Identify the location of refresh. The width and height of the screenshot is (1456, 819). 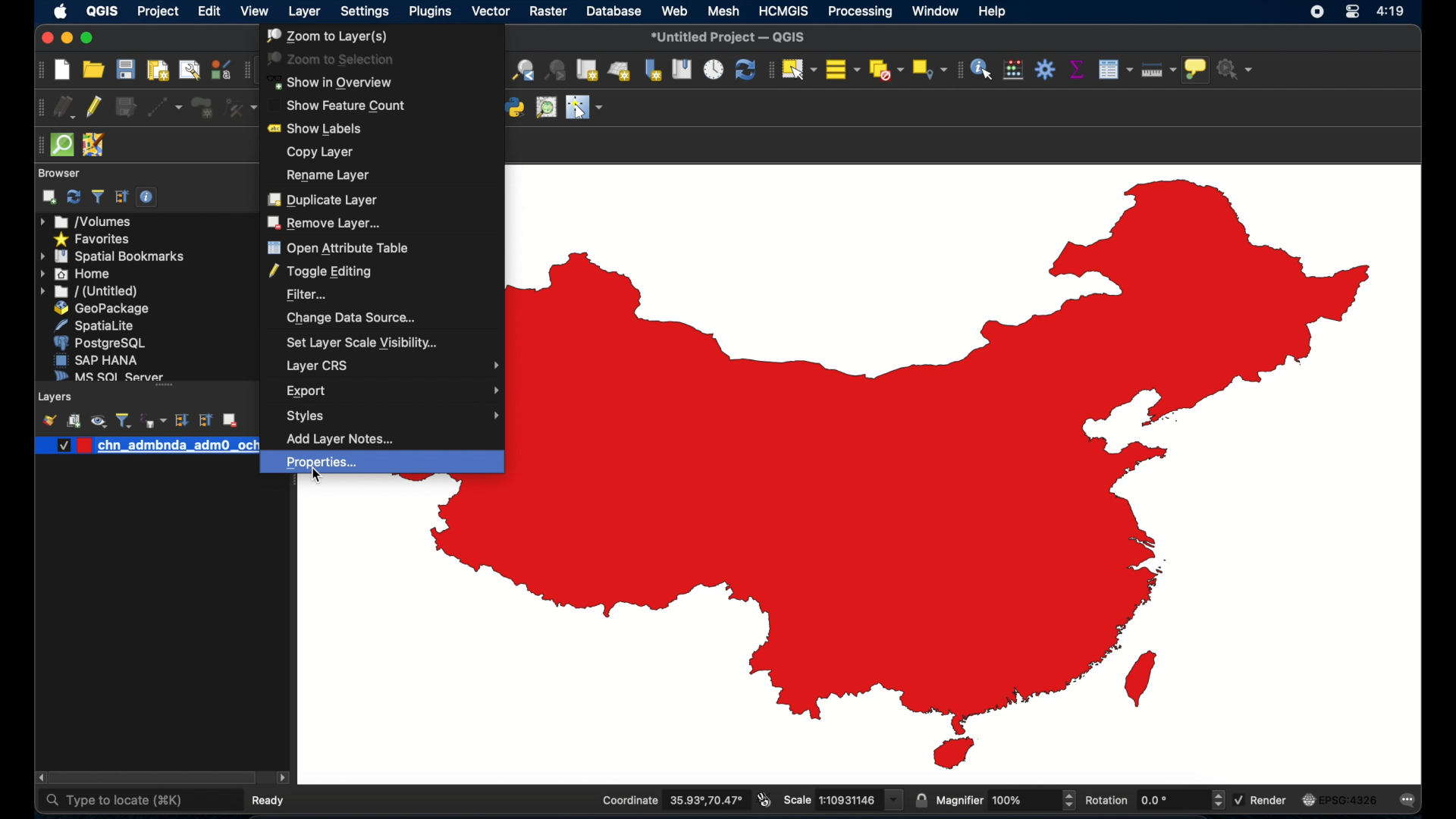
(743, 71).